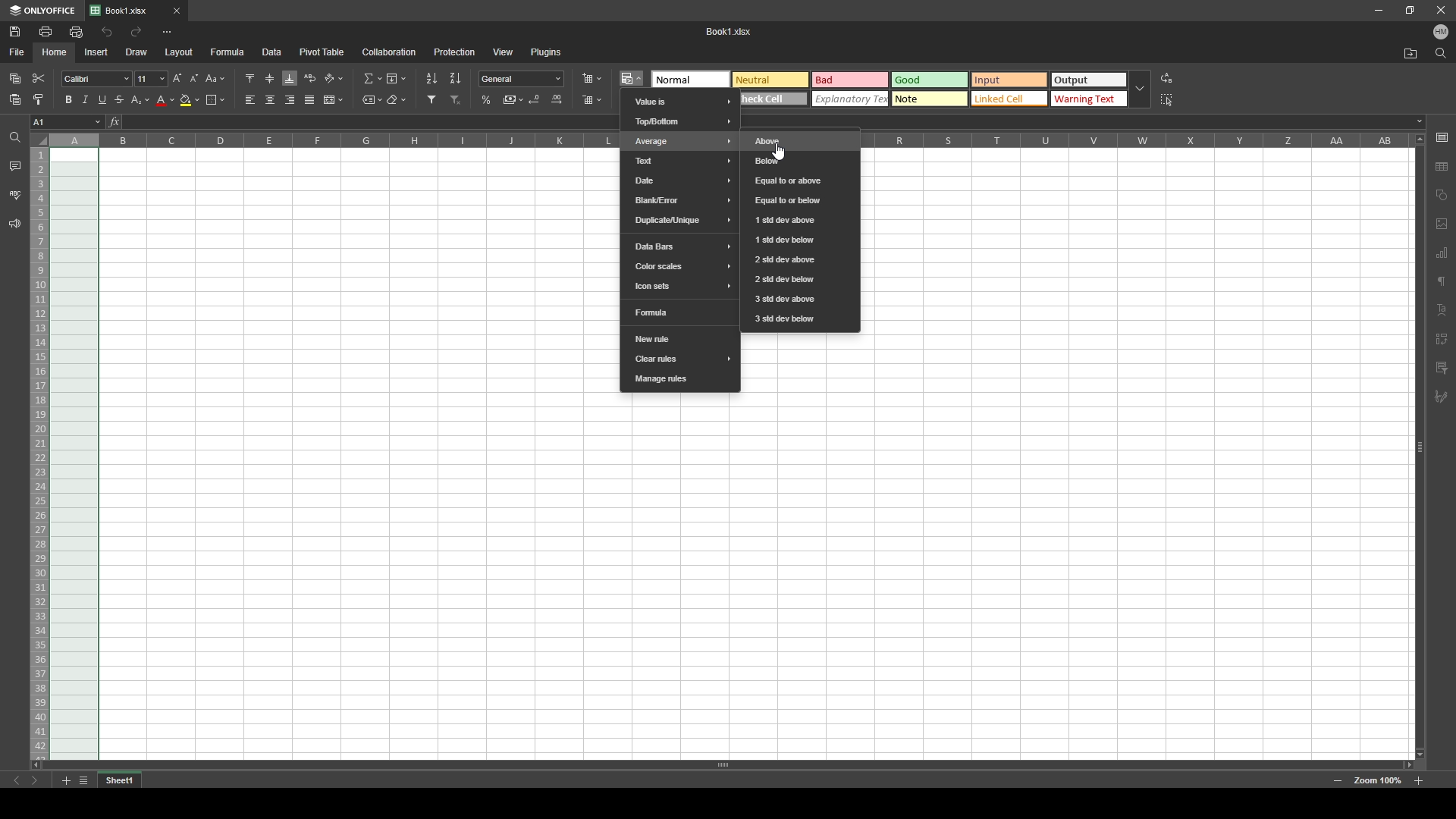 This screenshot has width=1456, height=819. Describe the element at coordinates (271, 99) in the screenshot. I see `align center` at that location.